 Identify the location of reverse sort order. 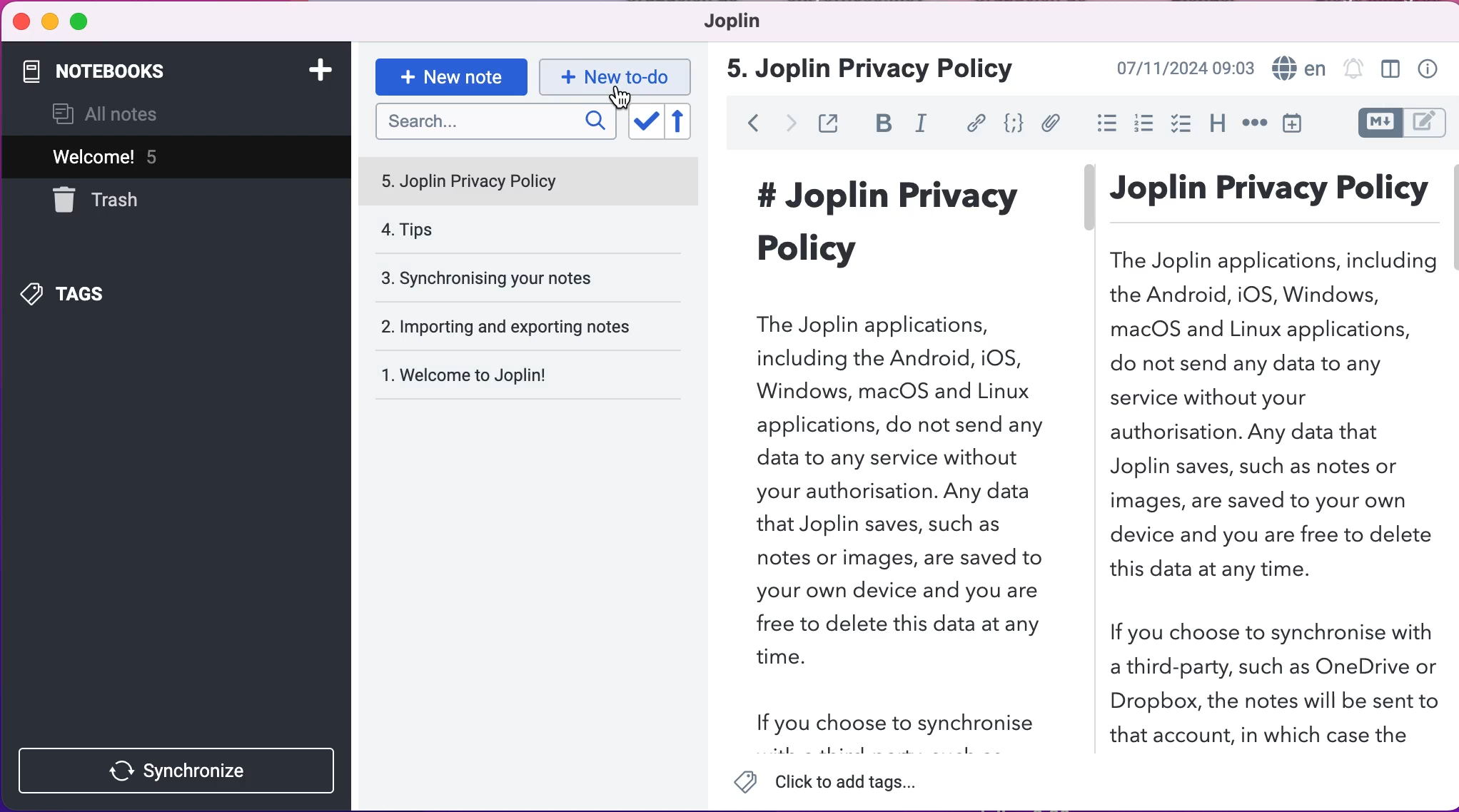
(687, 122).